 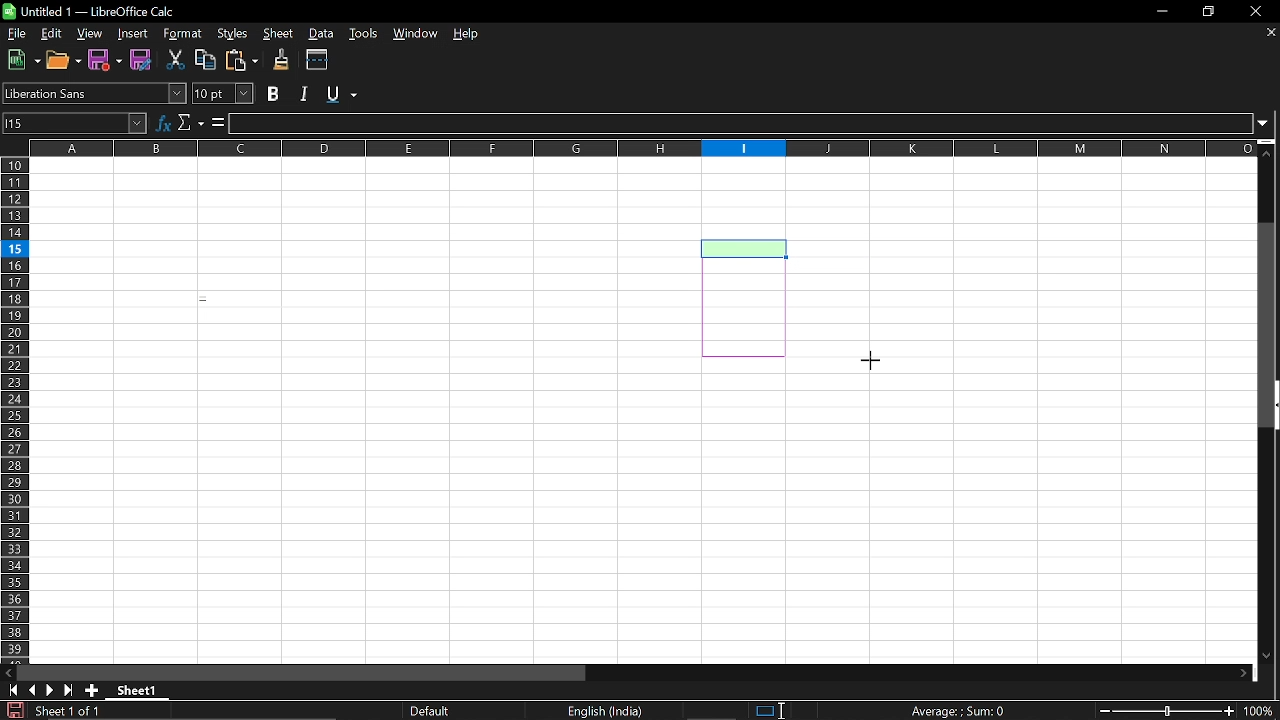 What do you see at coordinates (8, 672) in the screenshot?
I see `Move left` at bounding box center [8, 672].